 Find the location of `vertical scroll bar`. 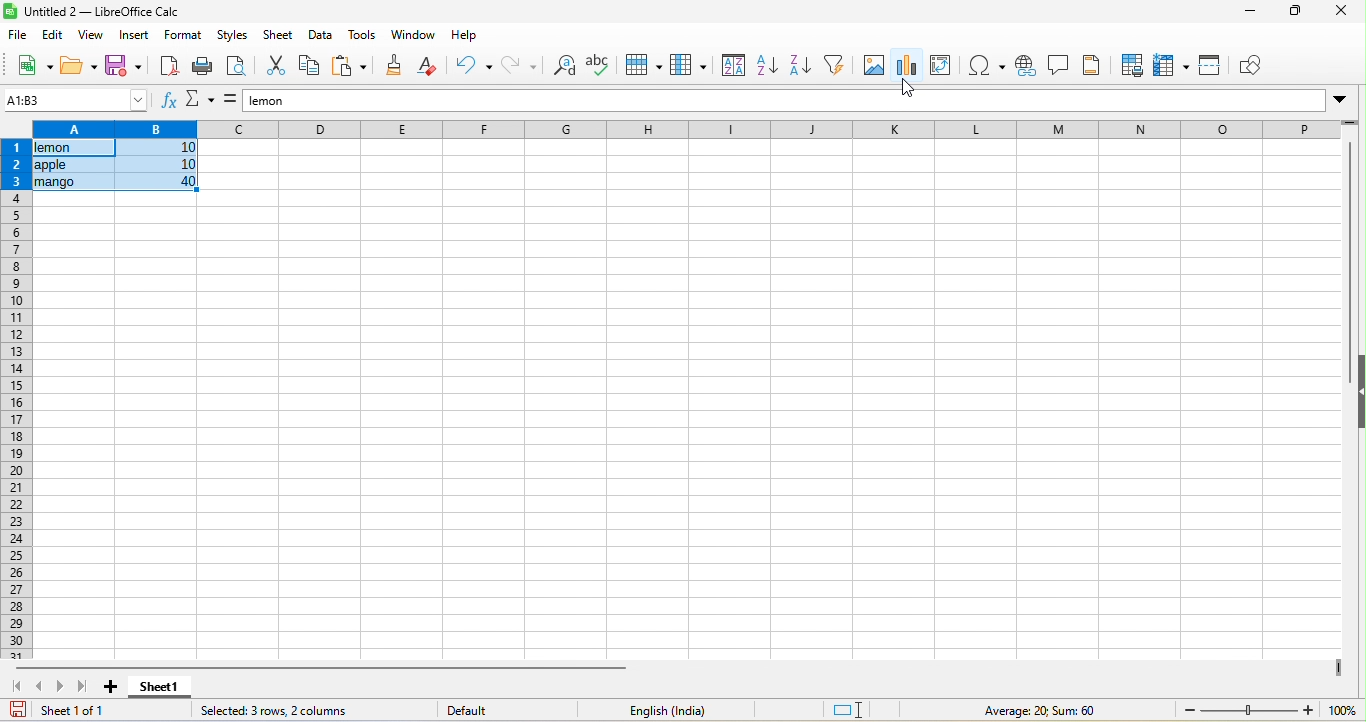

vertical scroll bar is located at coordinates (1349, 235).